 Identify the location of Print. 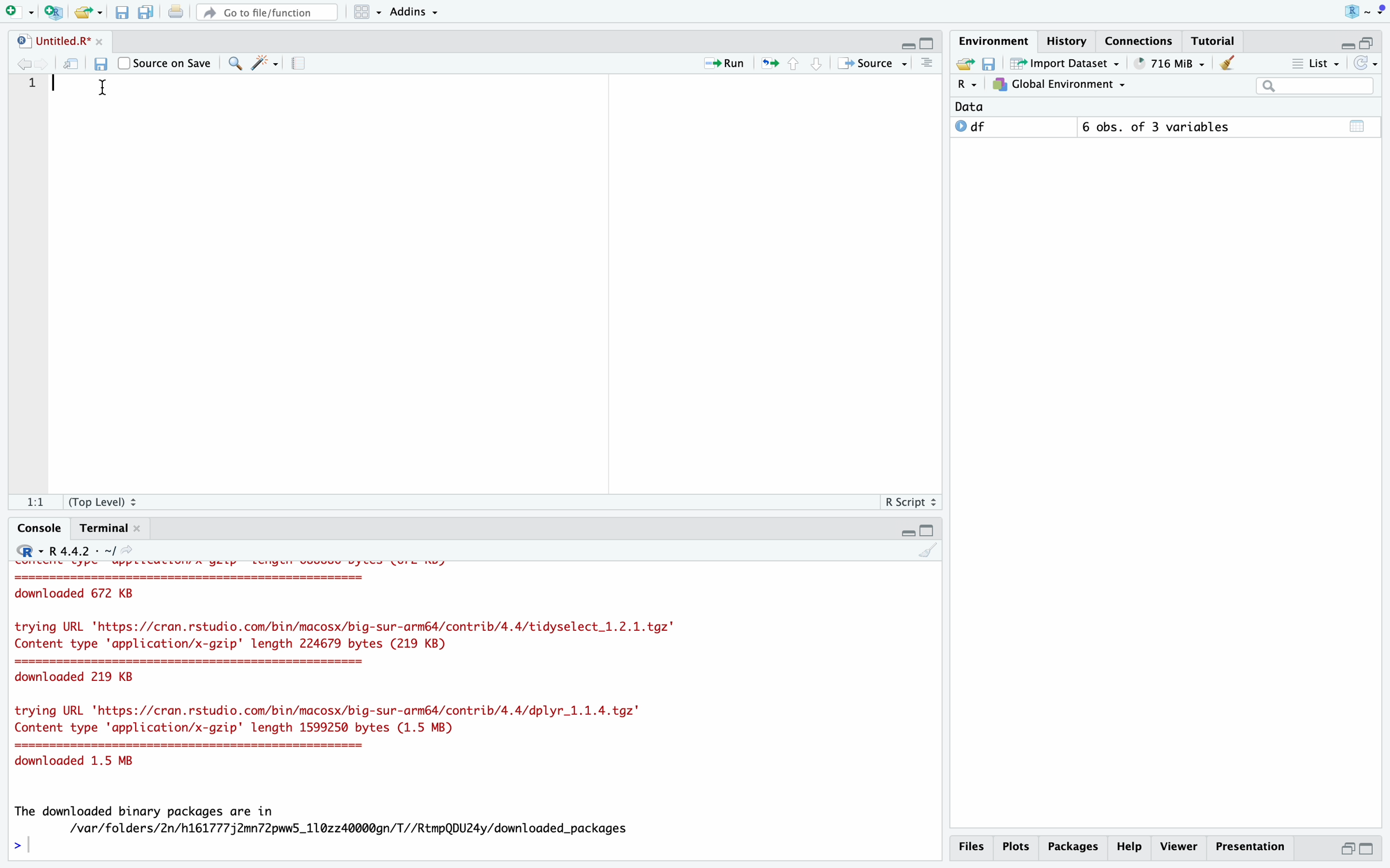
(176, 11).